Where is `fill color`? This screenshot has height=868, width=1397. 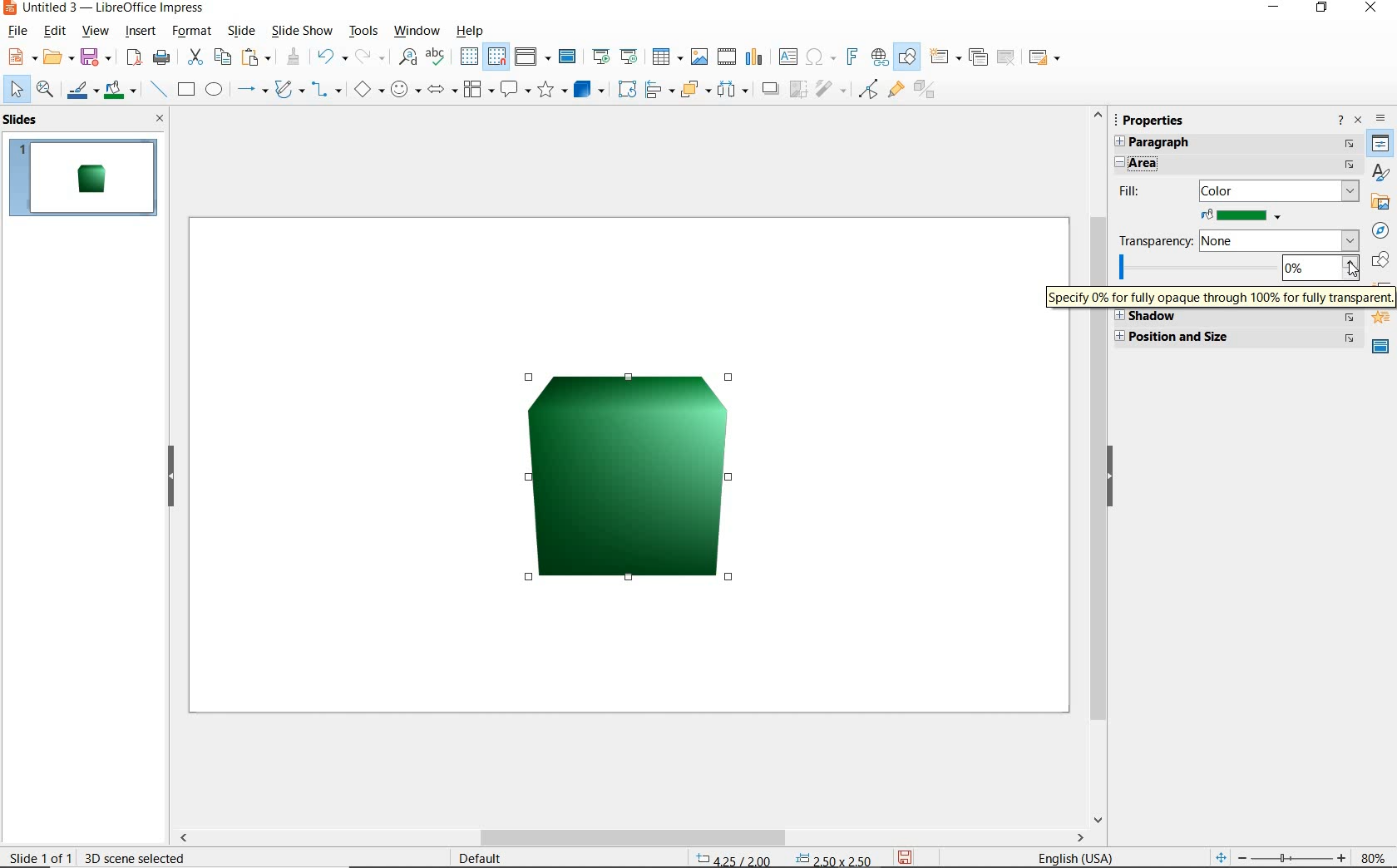
fill color is located at coordinates (121, 91).